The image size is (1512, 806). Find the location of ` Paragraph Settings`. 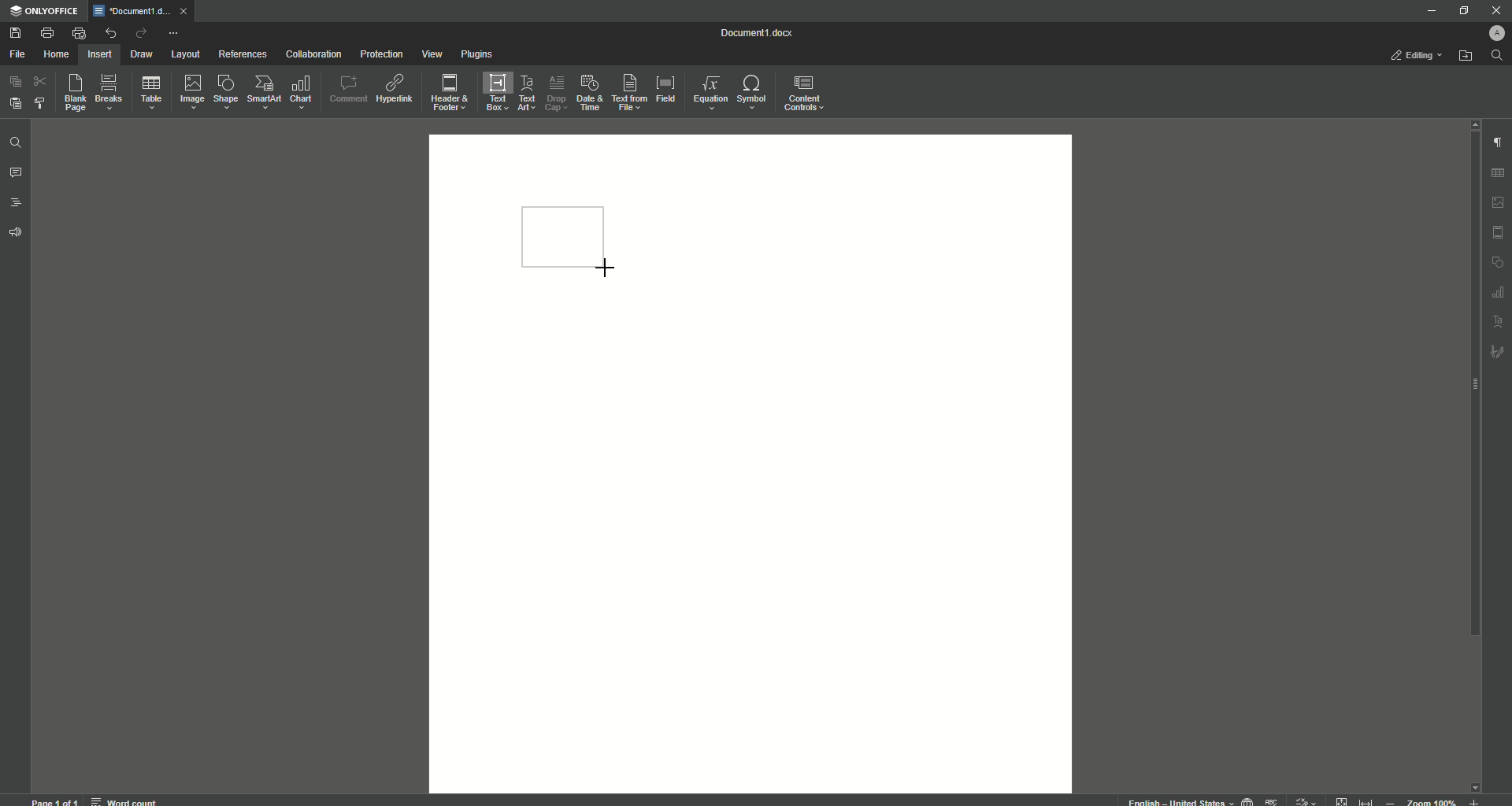

 Paragraph Settings is located at coordinates (1496, 142).